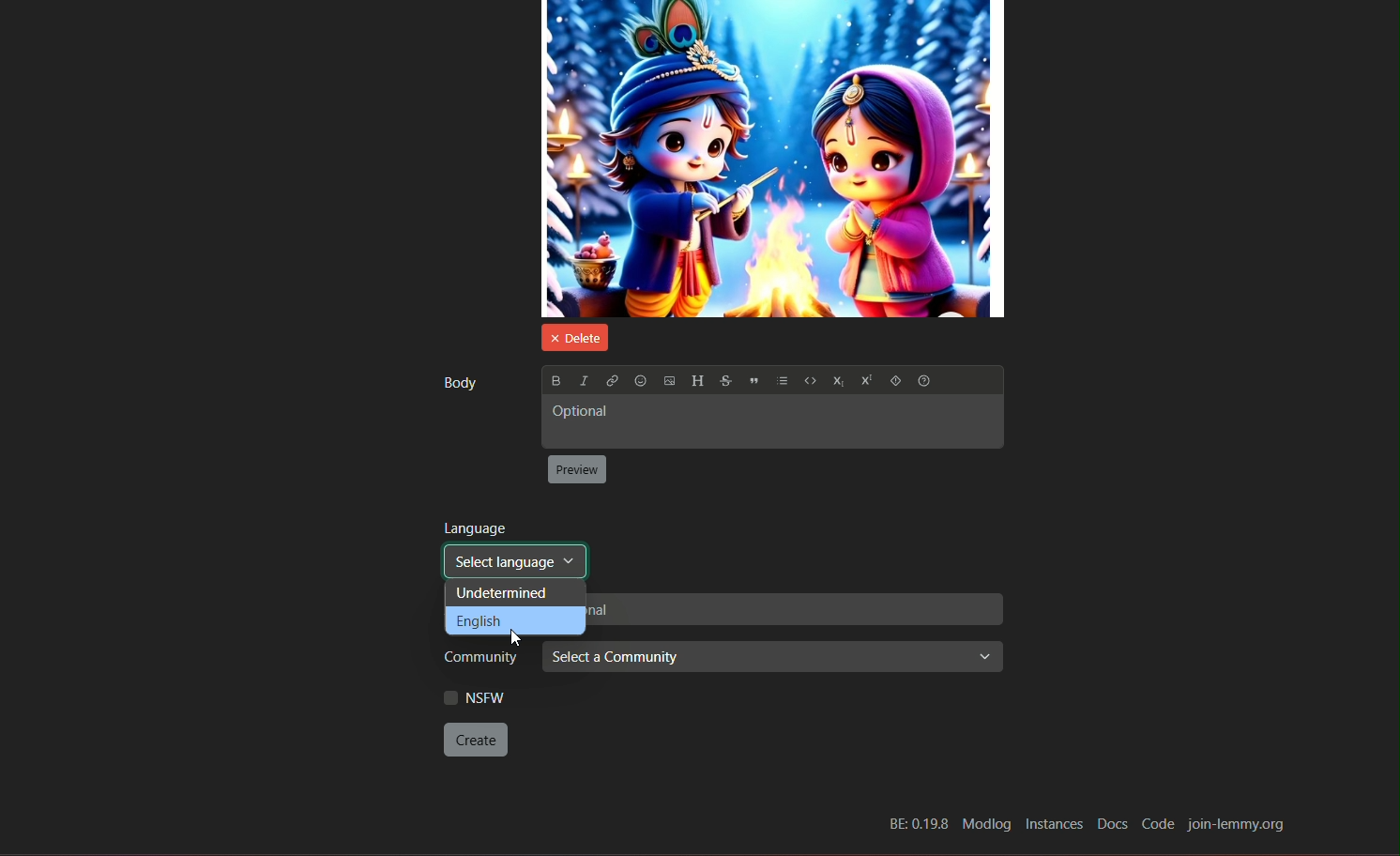 Image resolution: width=1400 pixels, height=856 pixels. I want to click on list, so click(783, 383).